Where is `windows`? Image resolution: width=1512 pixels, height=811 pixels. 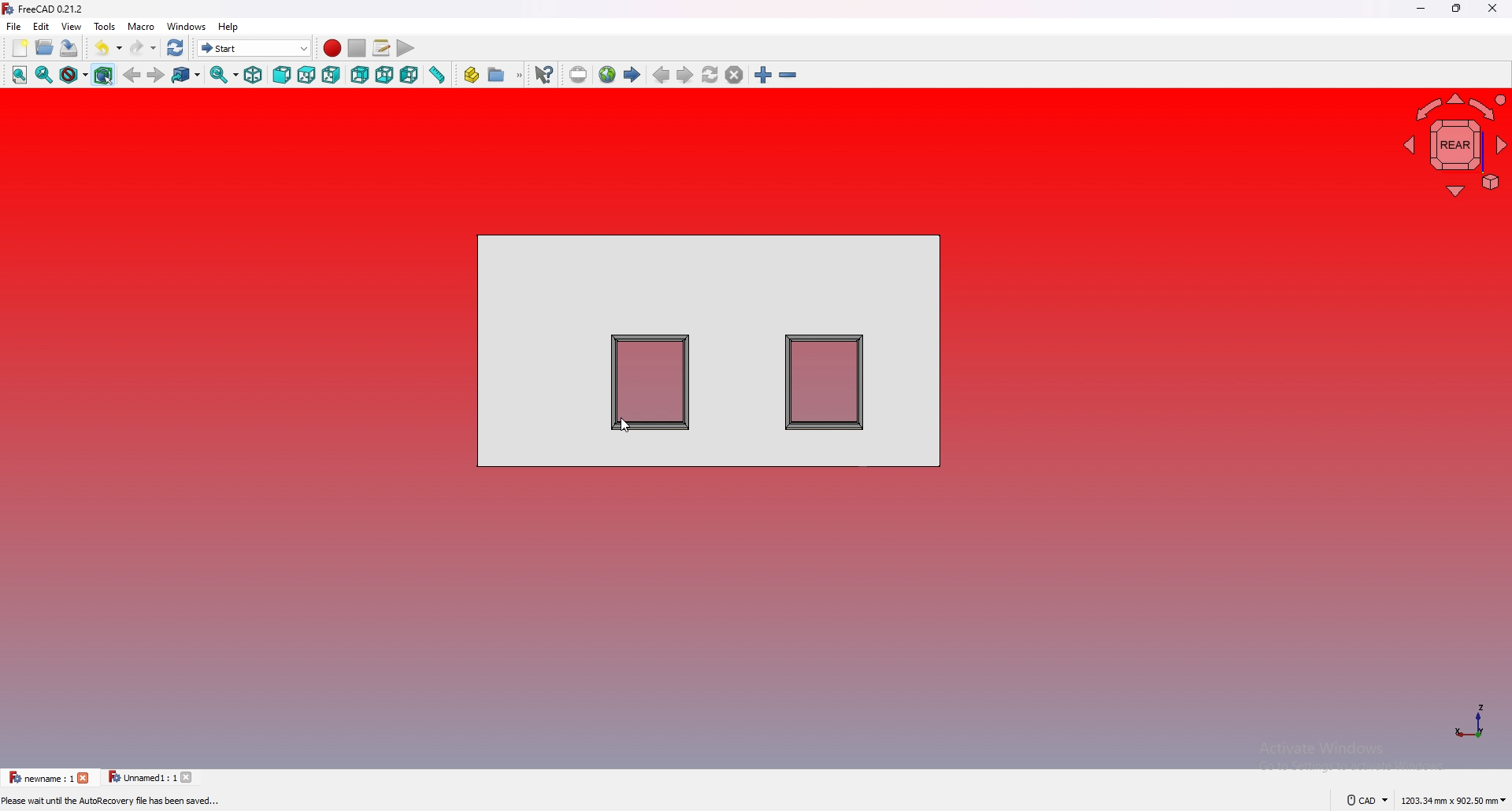
windows is located at coordinates (187, 27).